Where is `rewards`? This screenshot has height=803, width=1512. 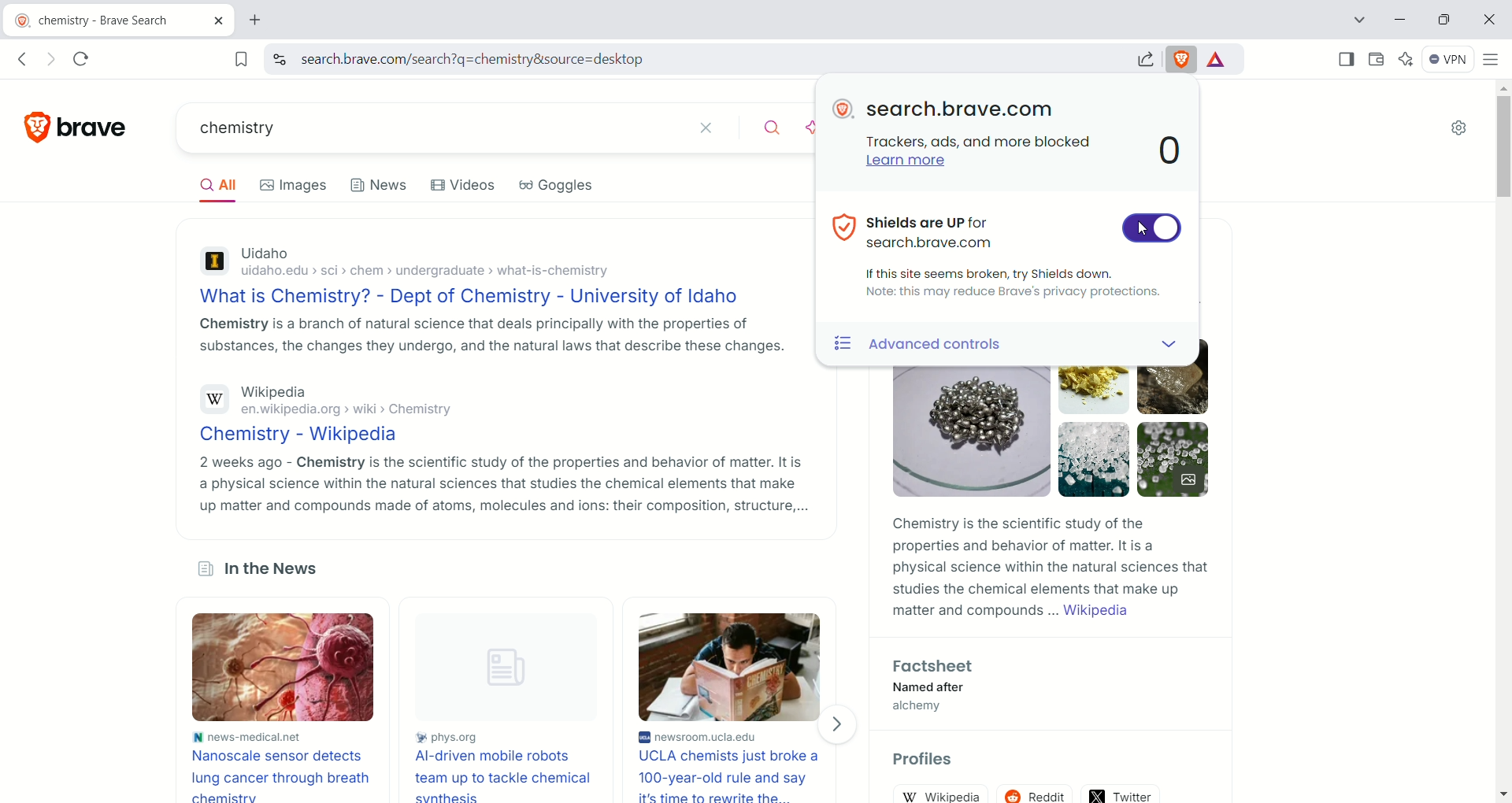 rewards is located at coordinates (1222, 58).